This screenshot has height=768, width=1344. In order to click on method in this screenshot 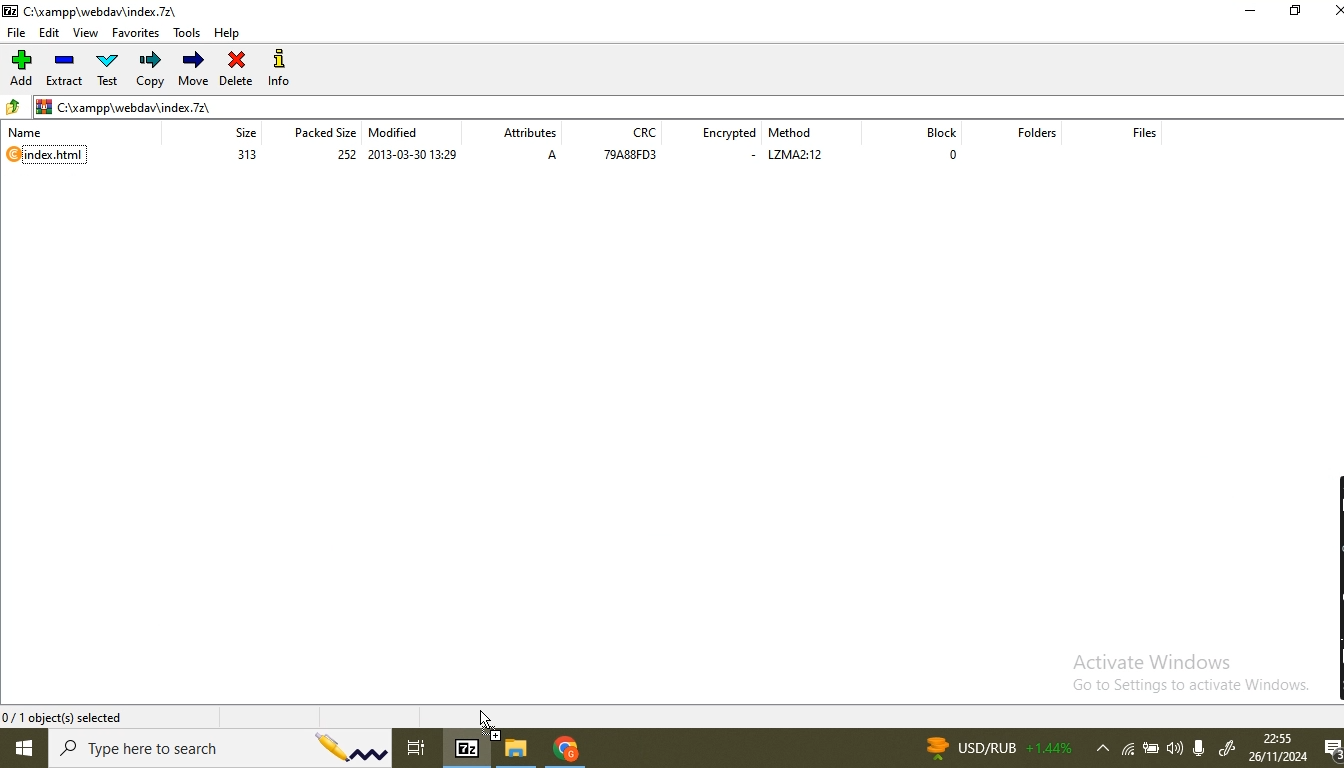, I will do `click(801, 130)`.